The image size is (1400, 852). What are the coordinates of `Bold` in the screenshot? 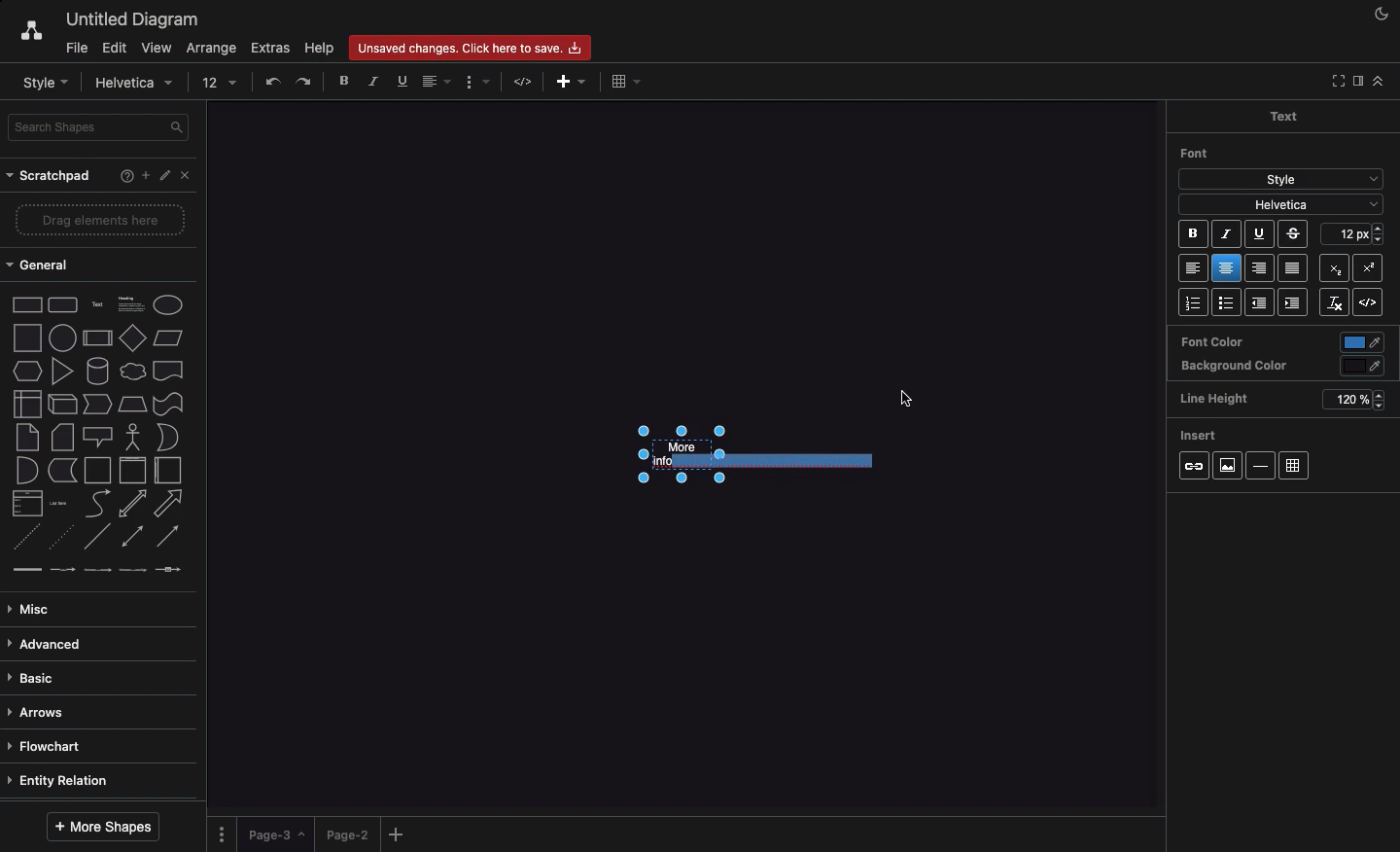 It's located at (345, 80).